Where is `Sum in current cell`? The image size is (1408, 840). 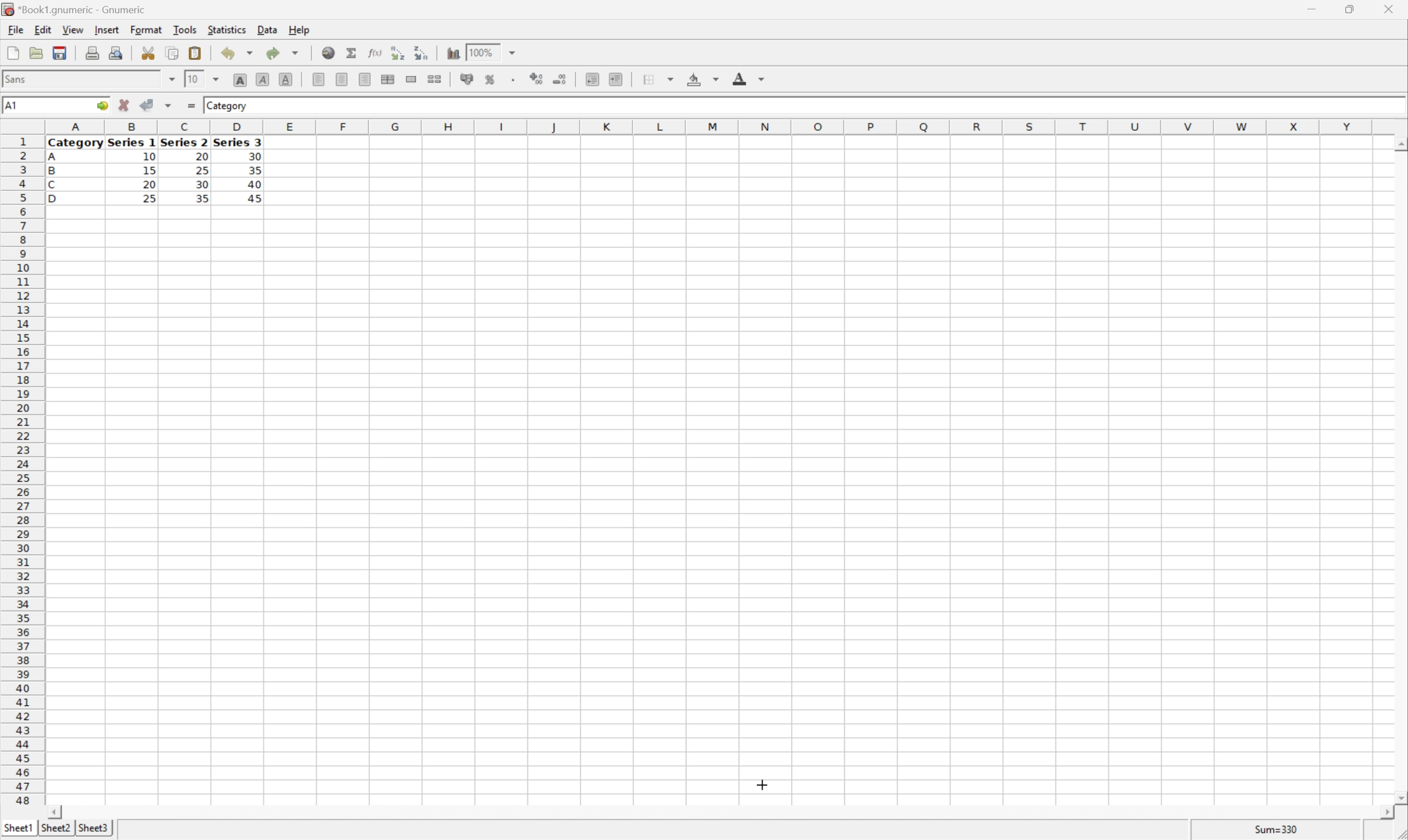 Sum in current cell is located at coordinates (353, 53).